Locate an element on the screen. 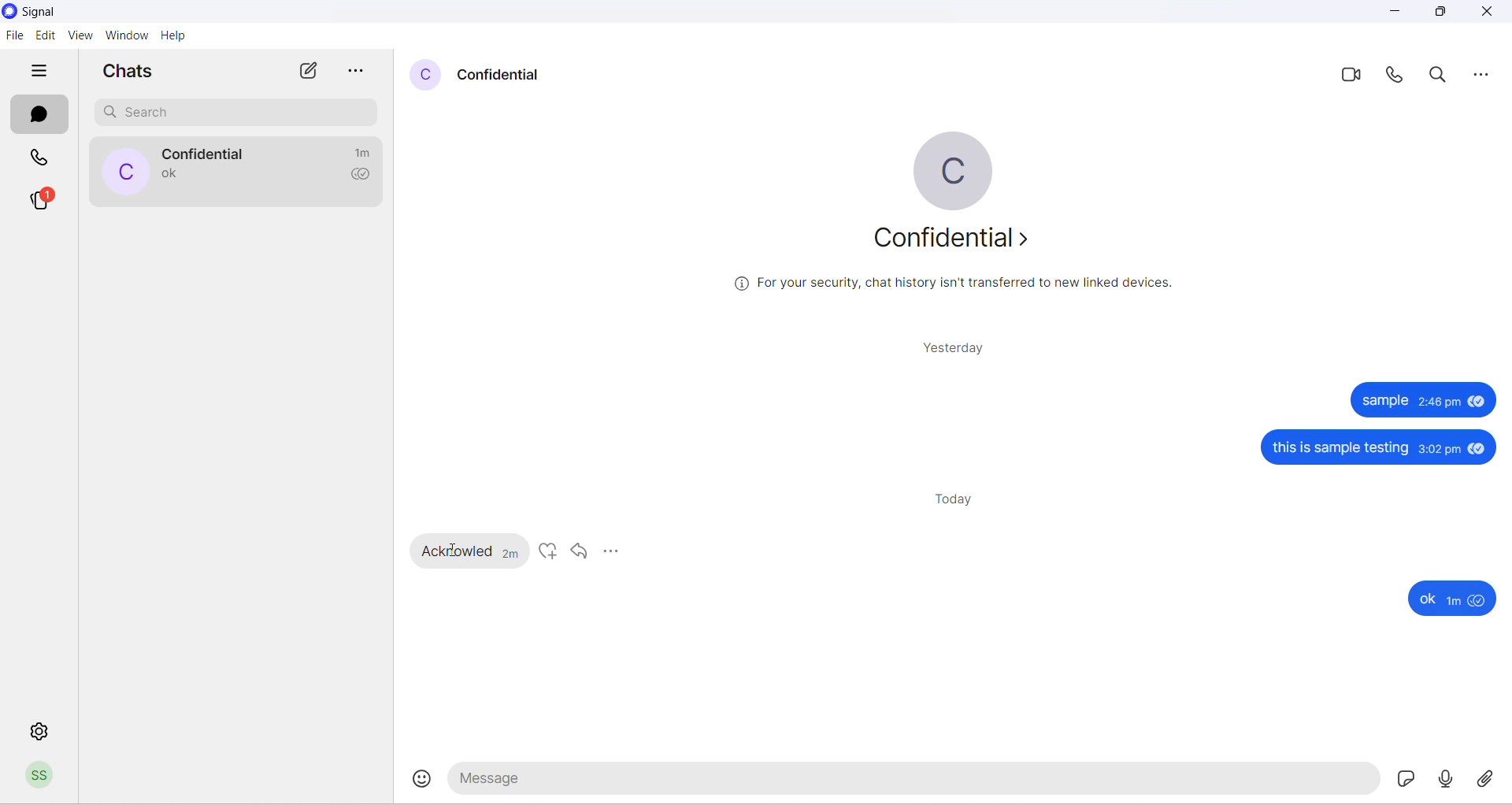  last message is located at coordinates (173, 174).